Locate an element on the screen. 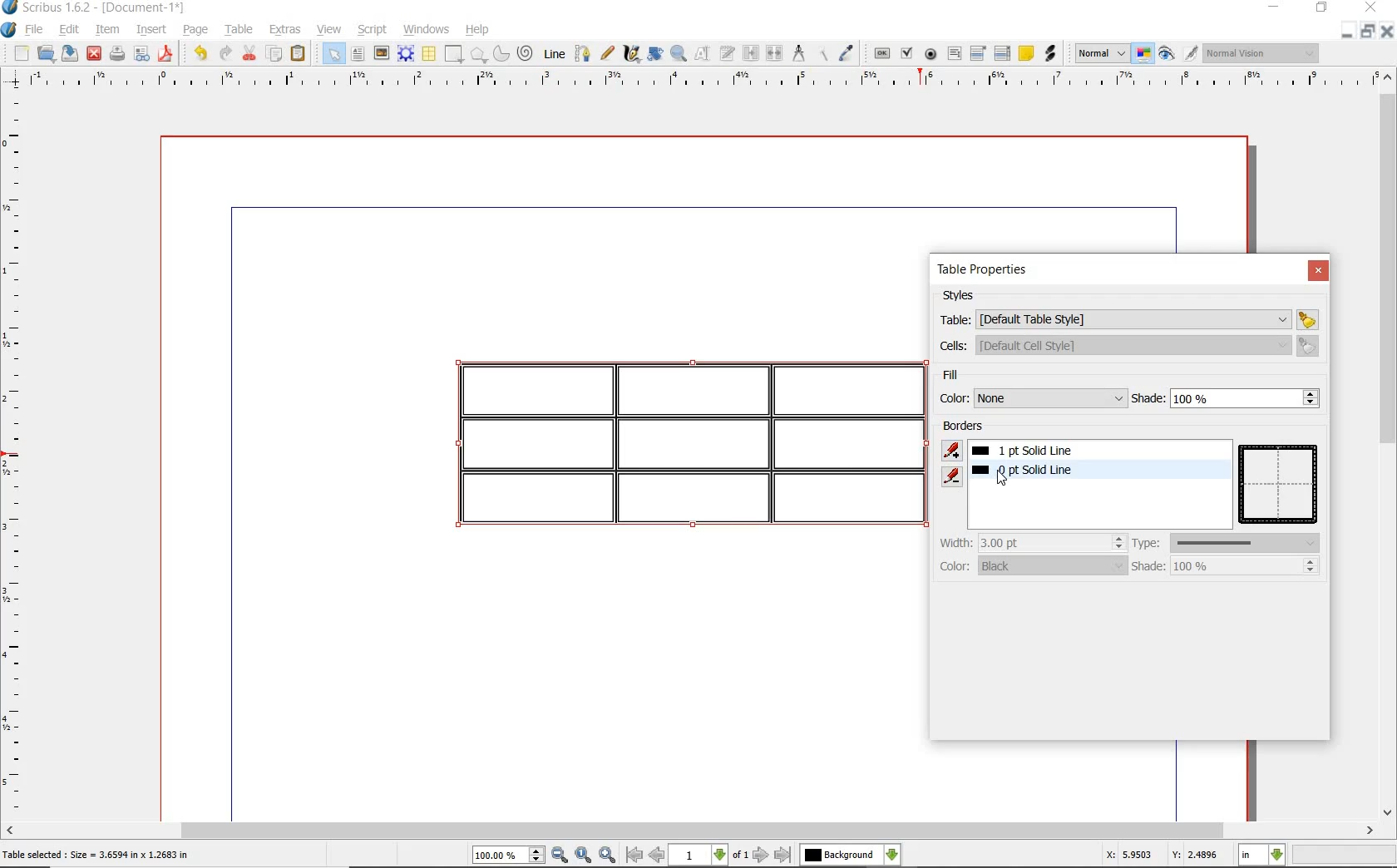 The height and width of the screenshot is (868, 1397). cells is located at coordinates (1126, 345).